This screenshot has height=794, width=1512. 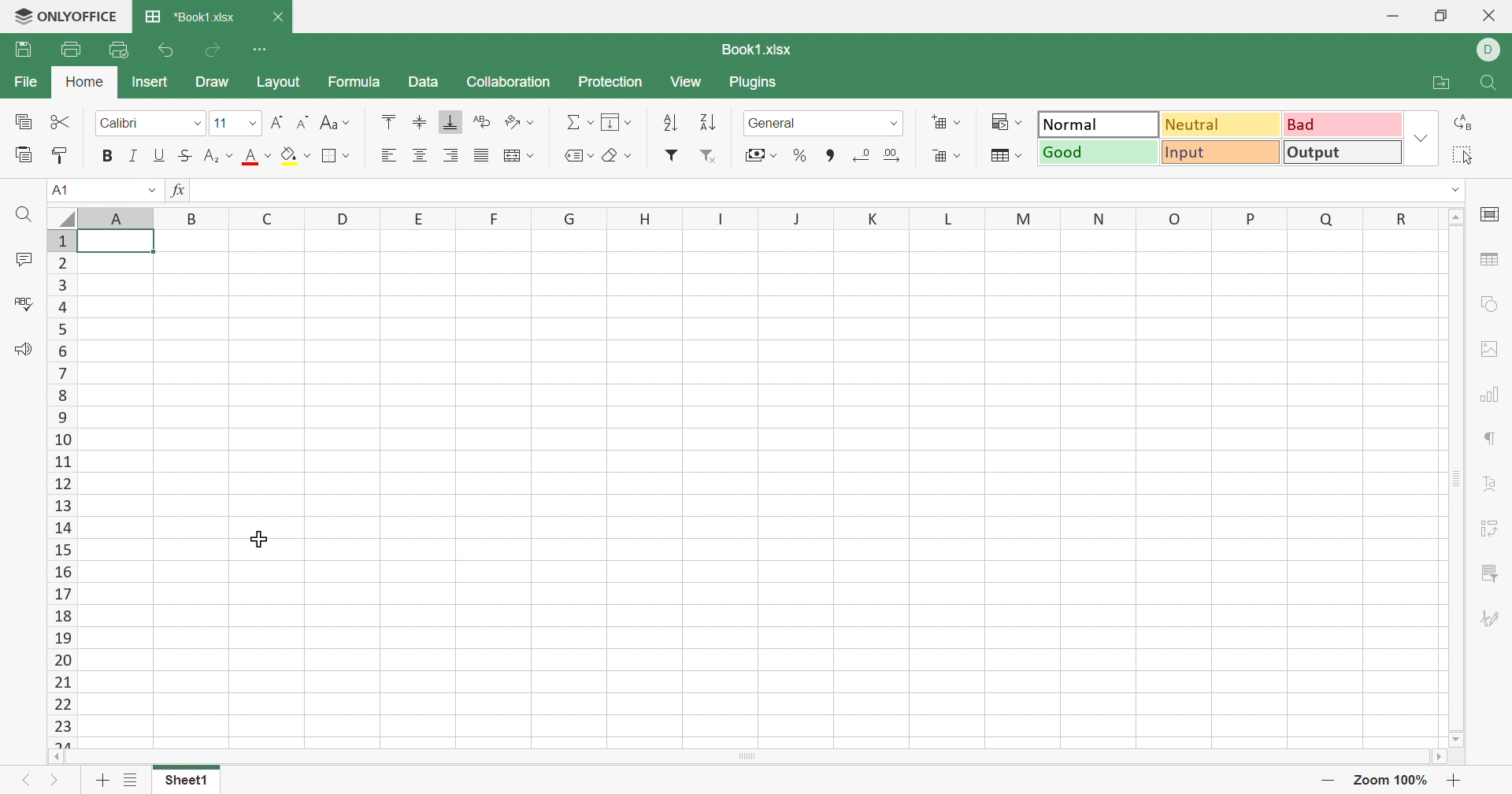 I want to click on Copy Style, so click(x=61, y=153).